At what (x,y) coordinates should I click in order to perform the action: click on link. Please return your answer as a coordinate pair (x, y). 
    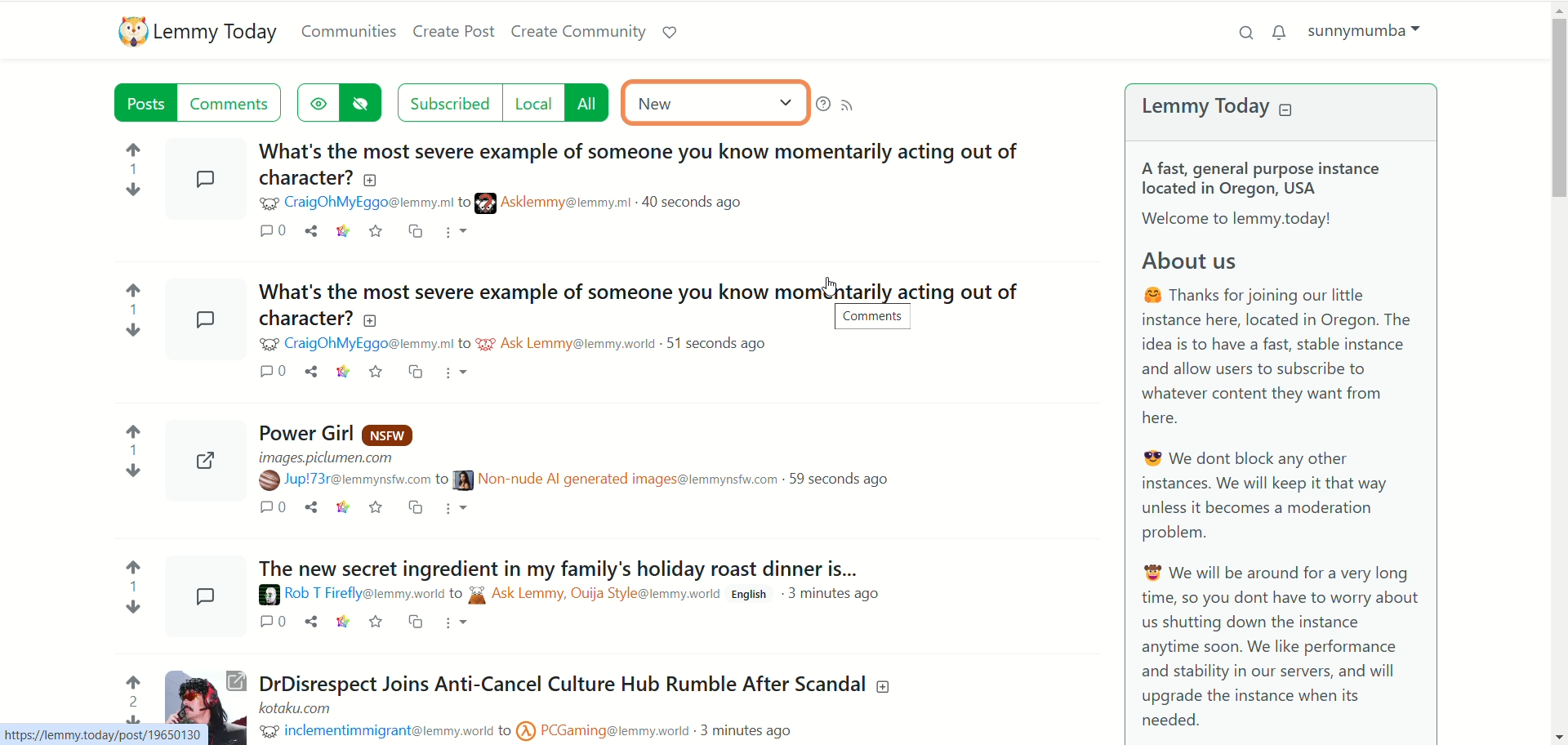
    Looking at the image, I should click on (344, 230).